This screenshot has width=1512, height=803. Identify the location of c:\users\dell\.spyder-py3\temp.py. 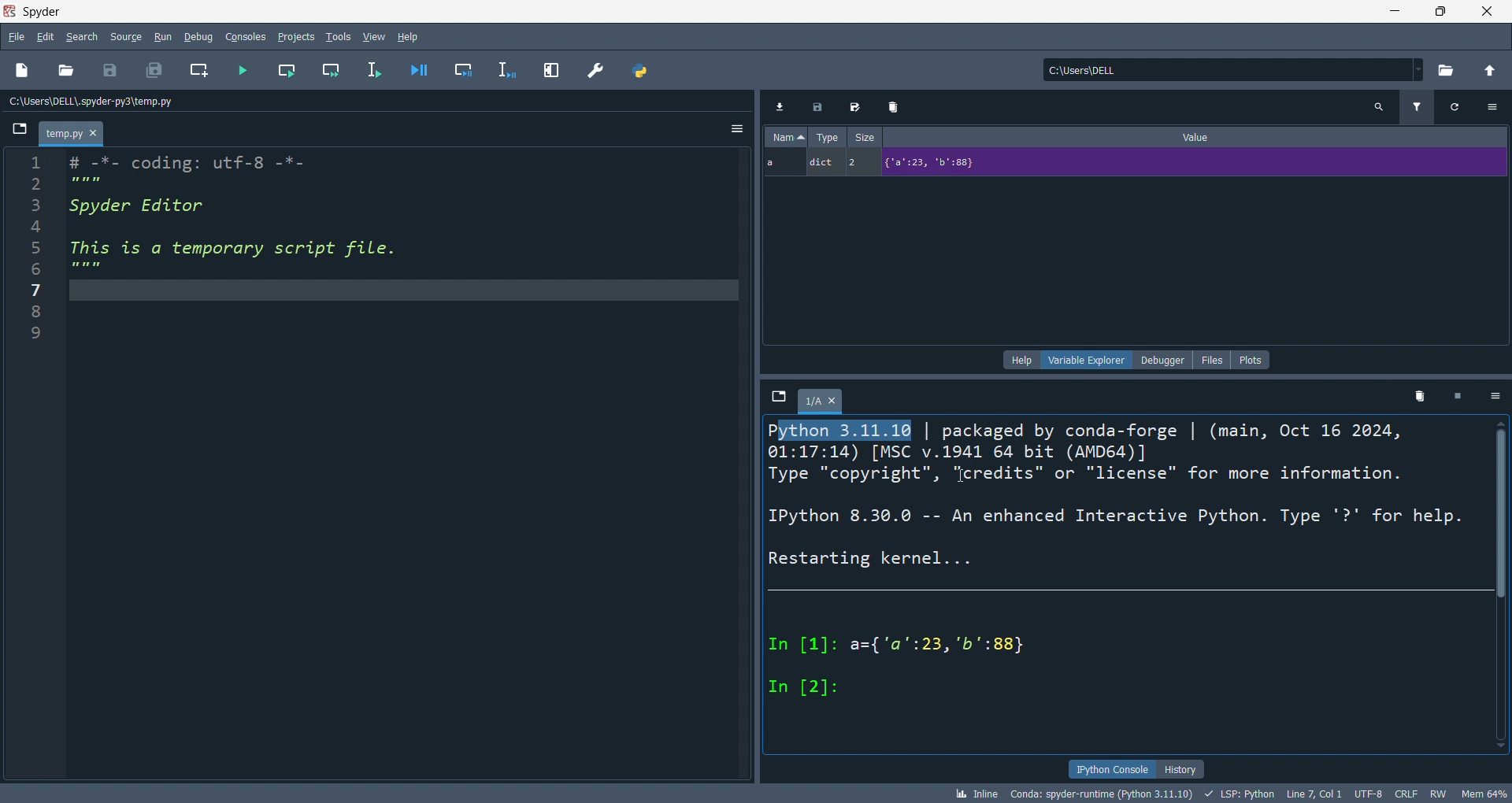
(99, 101).